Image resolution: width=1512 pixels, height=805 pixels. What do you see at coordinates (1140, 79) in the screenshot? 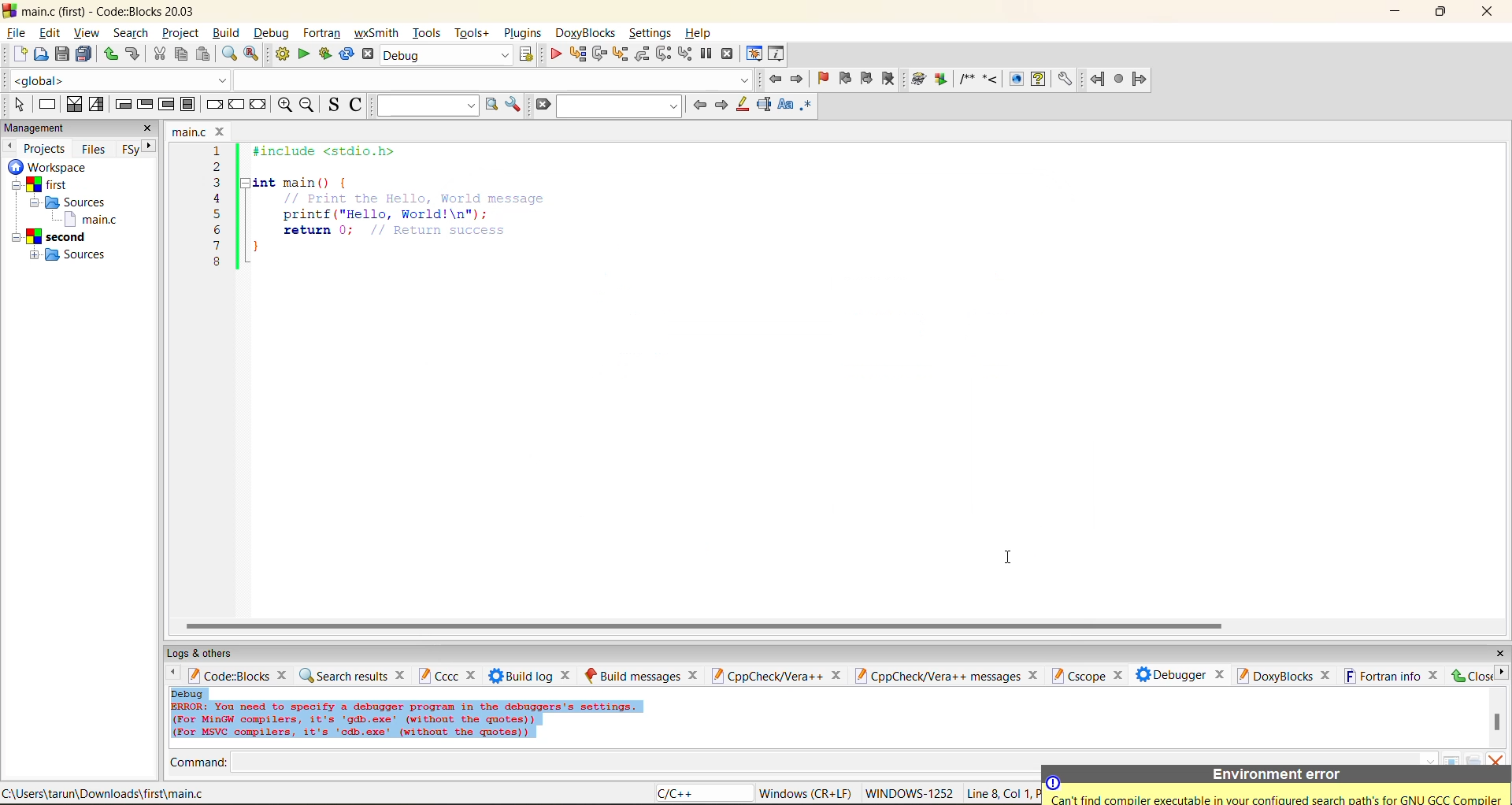
I see `forward` at bounding box center [1140, 79].